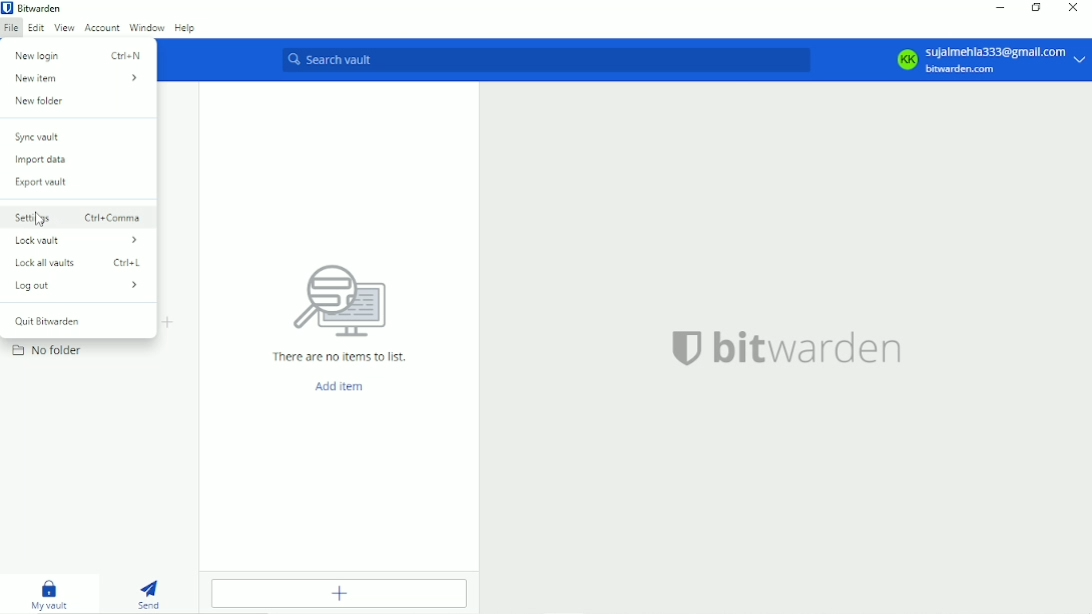  I want to click on Add item, so click(335, 386).